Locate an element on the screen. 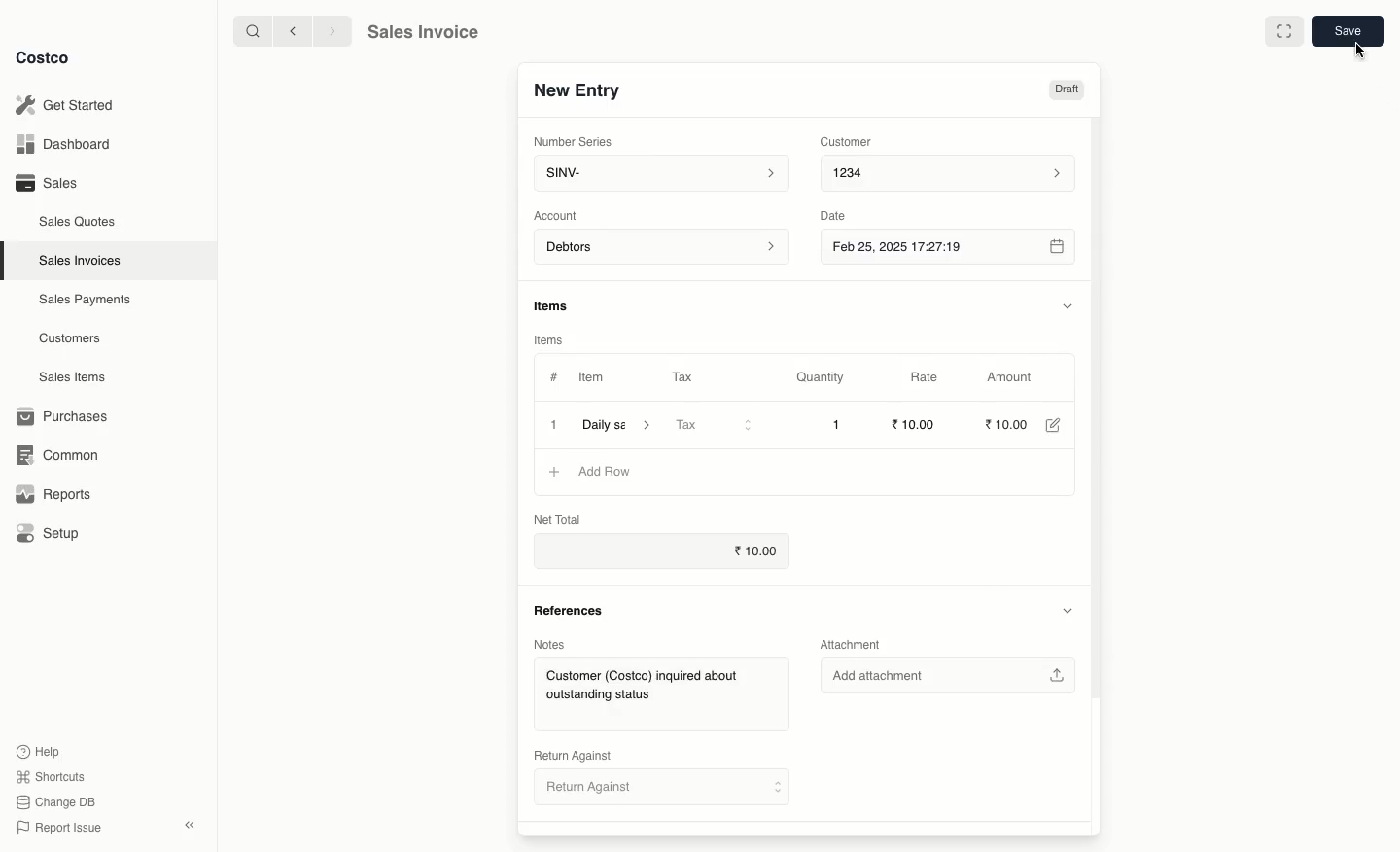 This screenshot has width=1400, height=852. Customer is located at coordinates (852, 143).